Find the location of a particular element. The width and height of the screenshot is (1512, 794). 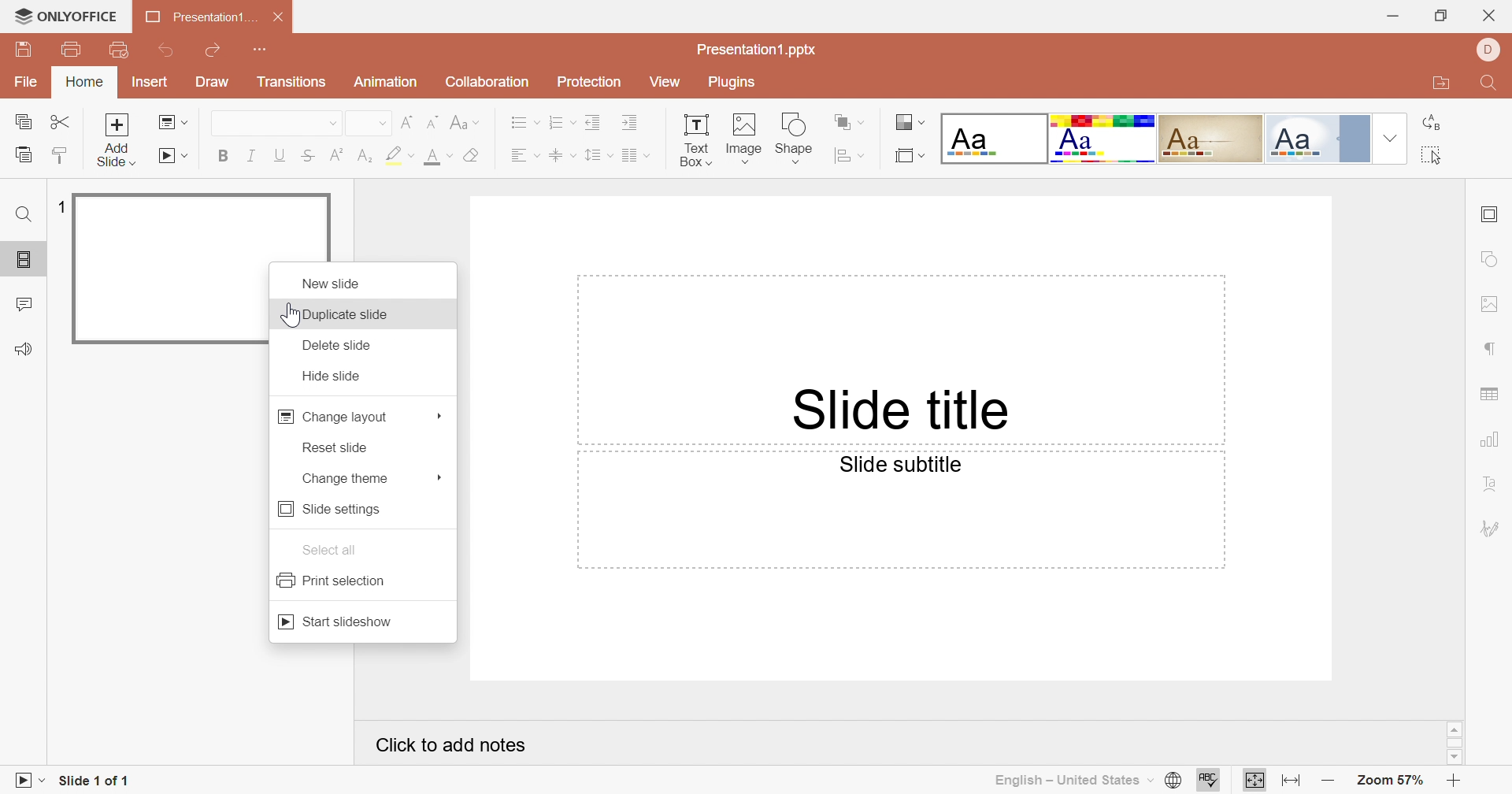

Arrange shape is located at coordinates (841, 121).